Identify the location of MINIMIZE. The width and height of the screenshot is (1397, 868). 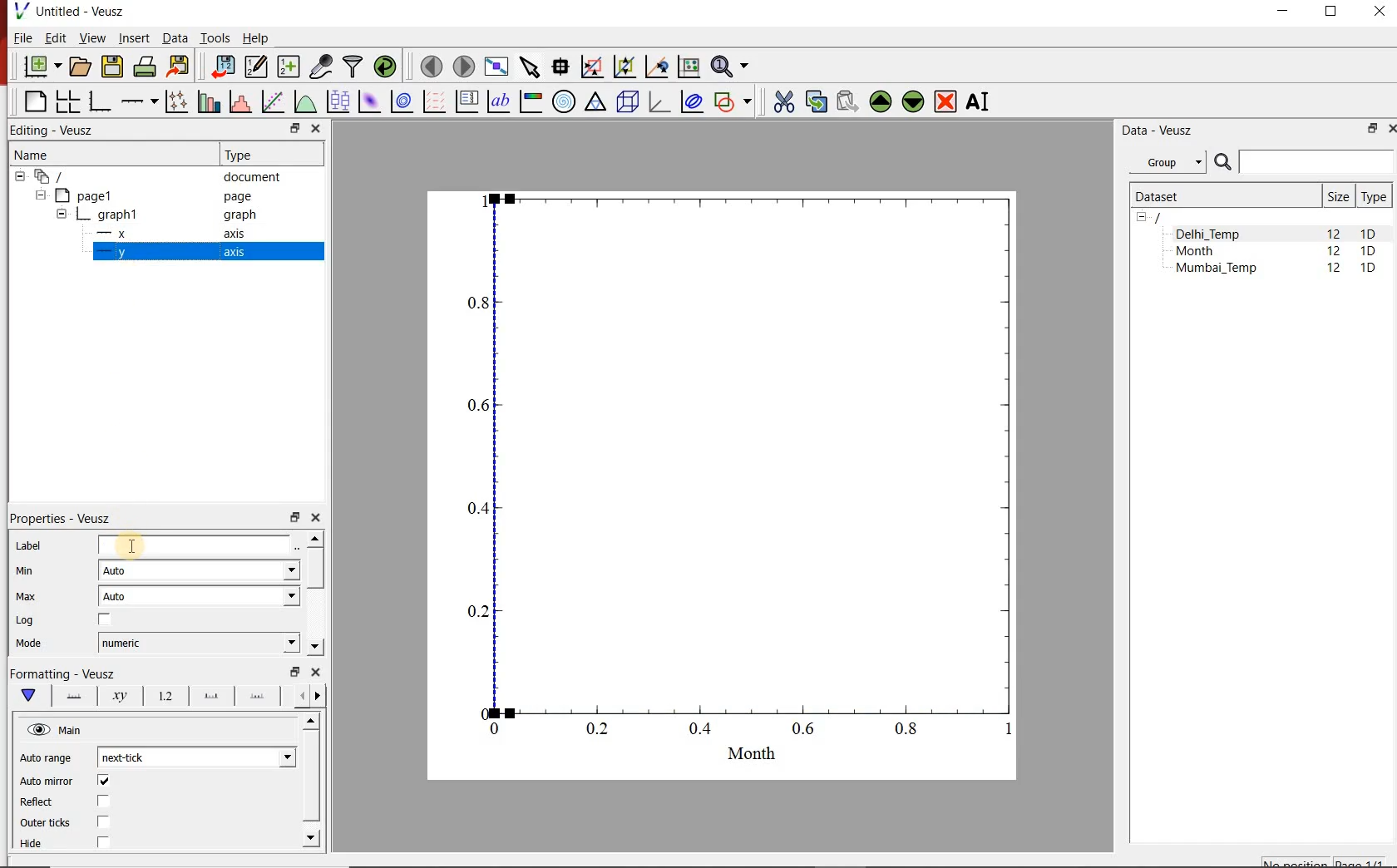
(1284, 12).